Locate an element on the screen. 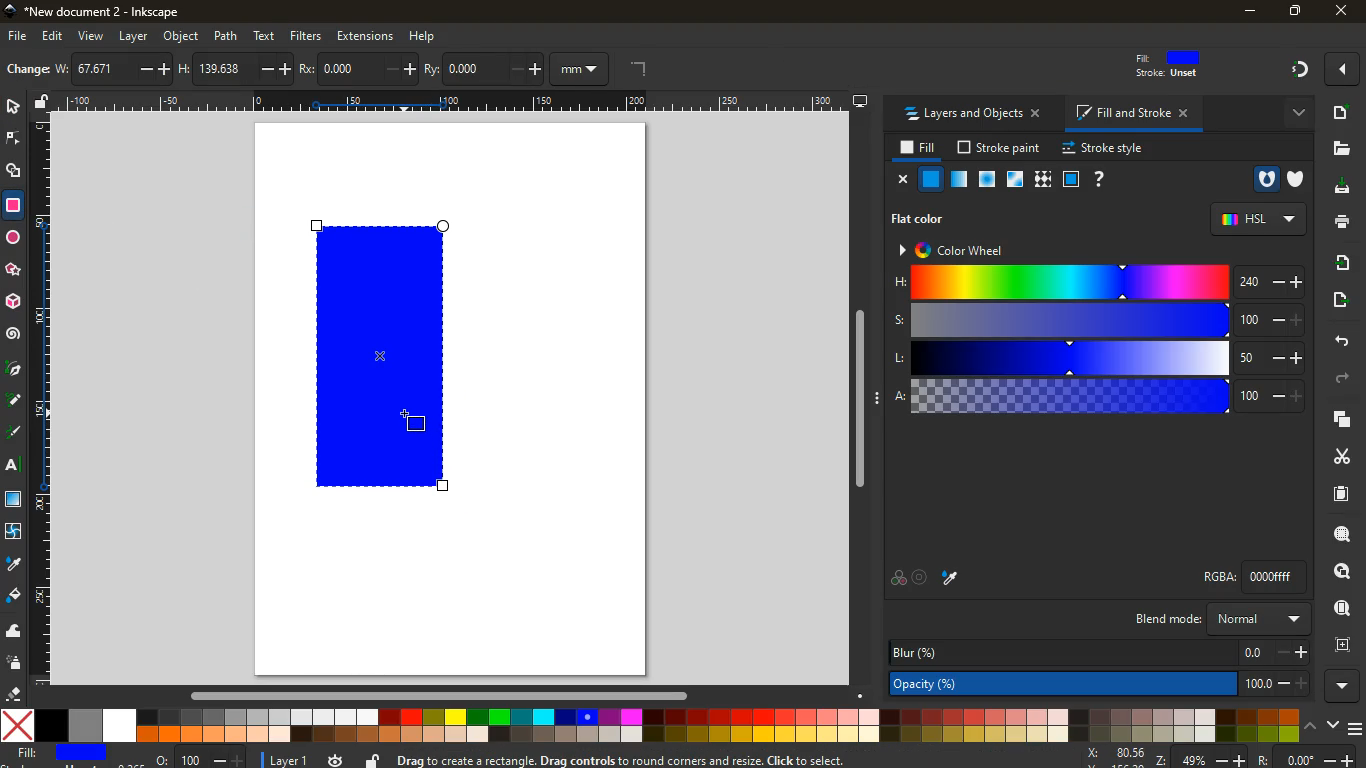  minimize is located at coordinates (1248, 12).